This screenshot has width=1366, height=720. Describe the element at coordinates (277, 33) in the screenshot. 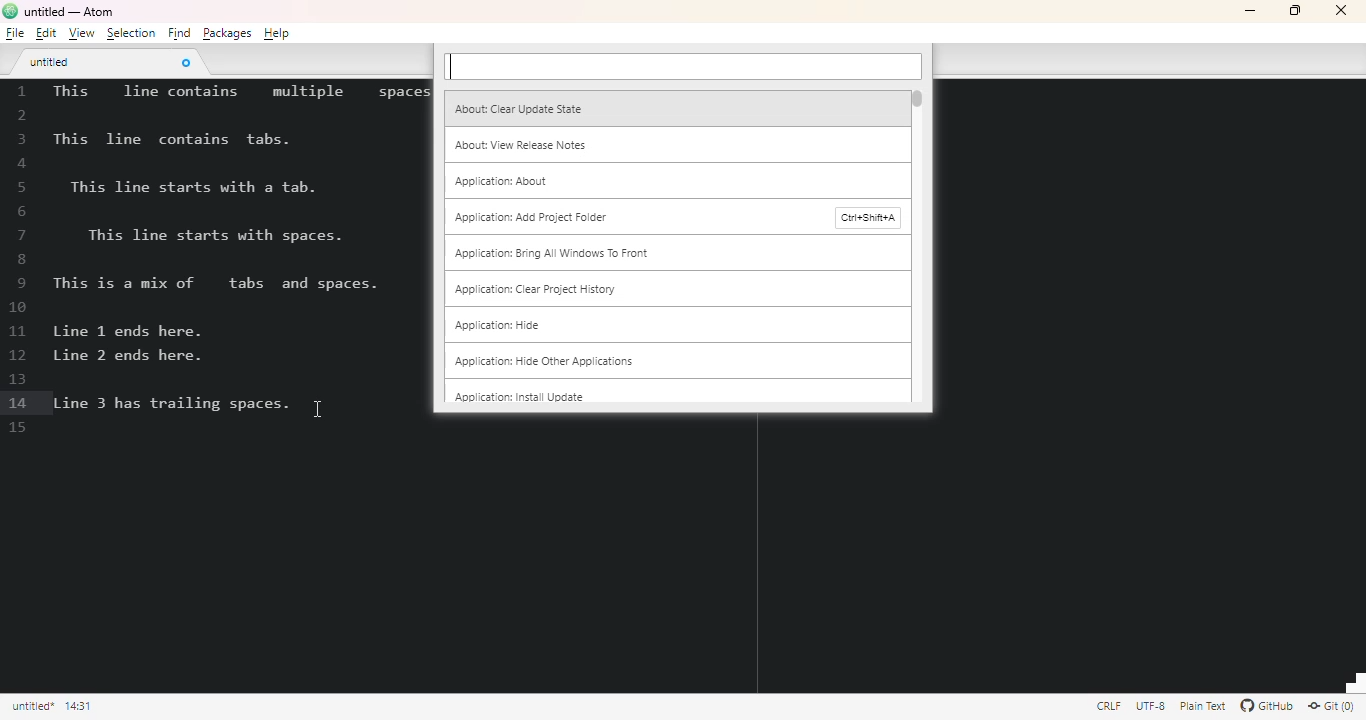

I see `help` at that location.